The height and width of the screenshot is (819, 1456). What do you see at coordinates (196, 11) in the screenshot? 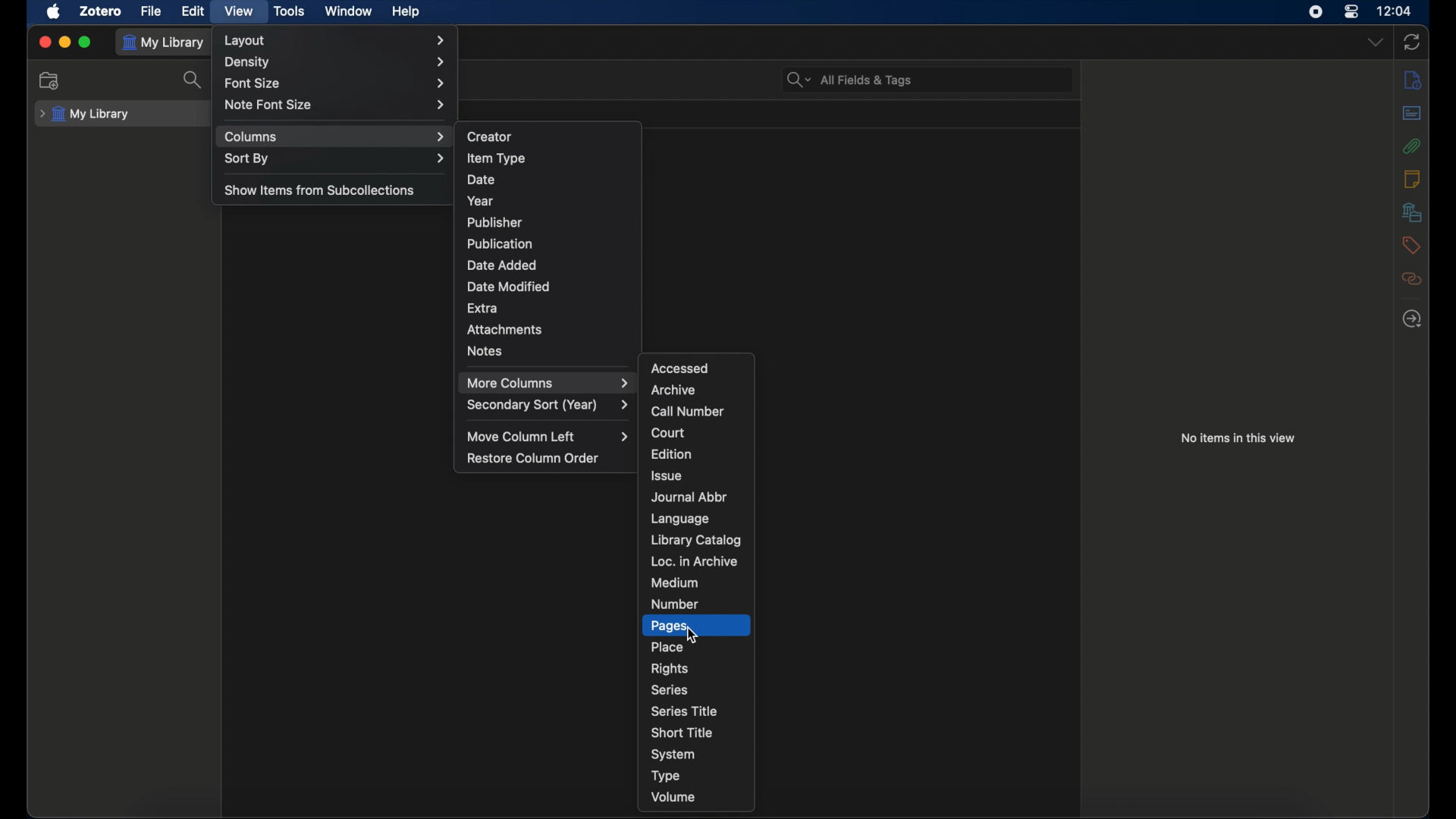
I see `edit` at bounding box center [196, 11].